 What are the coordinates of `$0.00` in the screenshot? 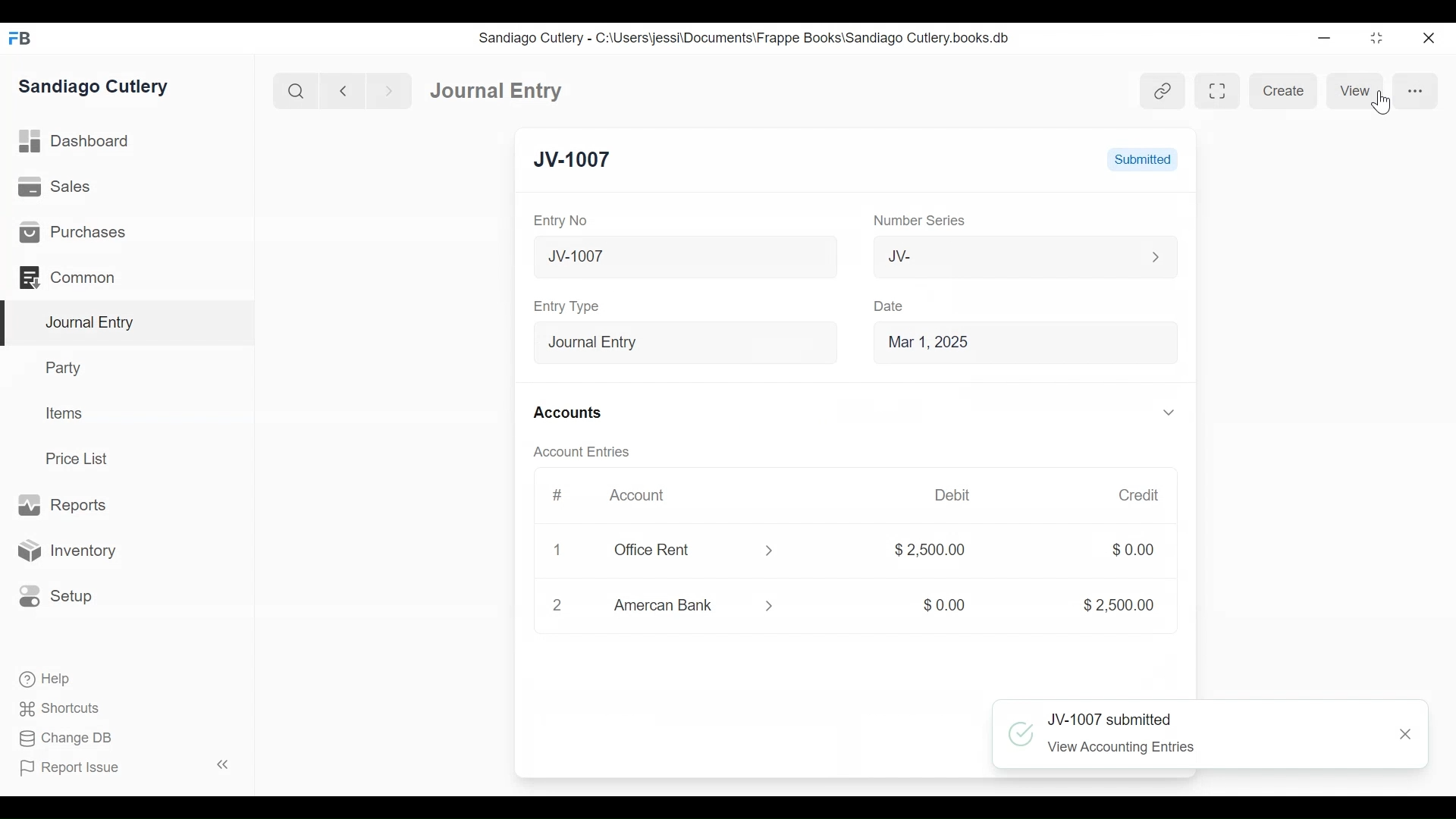 It's located at (1122, 551).